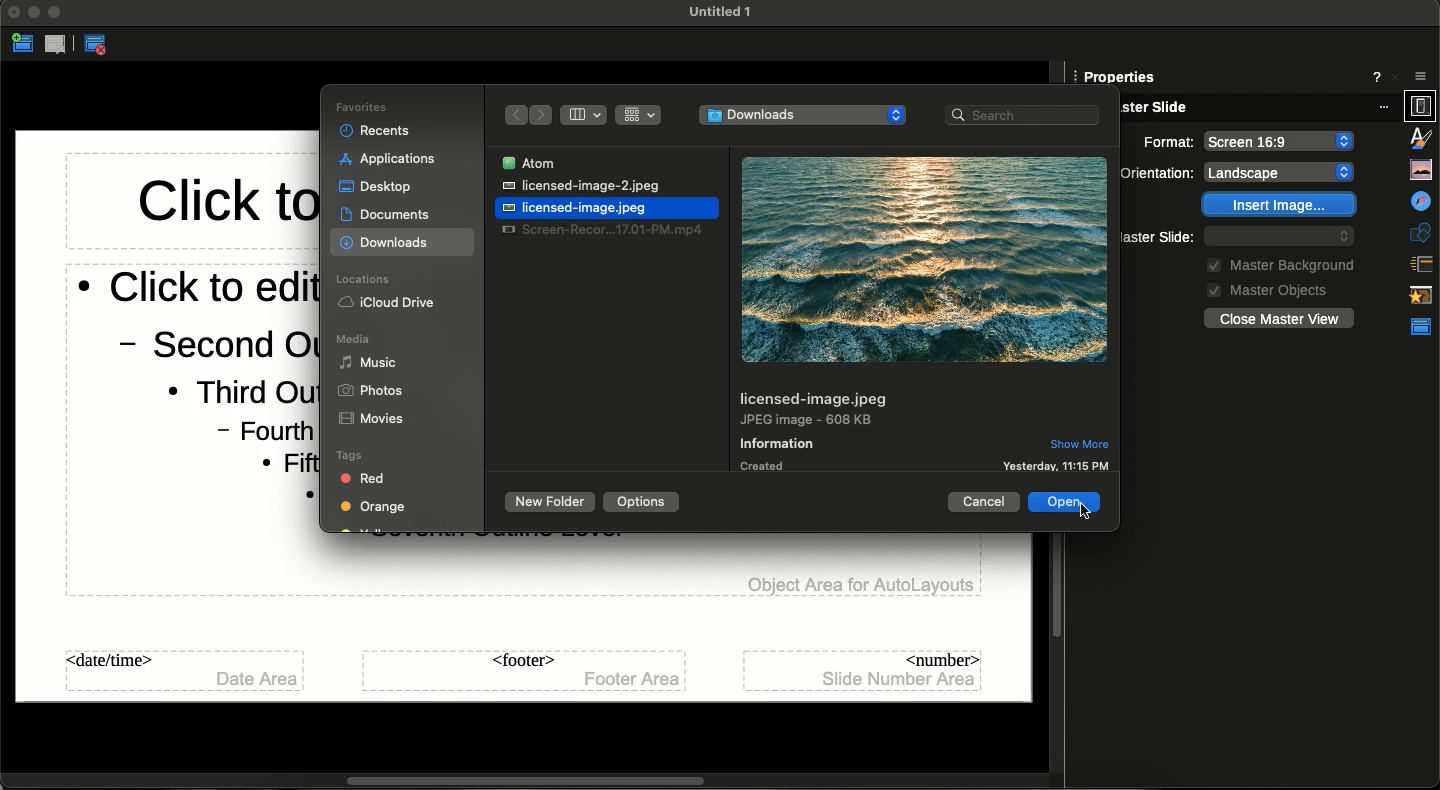 The height and width of the screenshot is (790, 1440). What do you see at coordinates (803, 114) in the screenshot?
I see `File address - downloads` at bounding box center [803, 114].